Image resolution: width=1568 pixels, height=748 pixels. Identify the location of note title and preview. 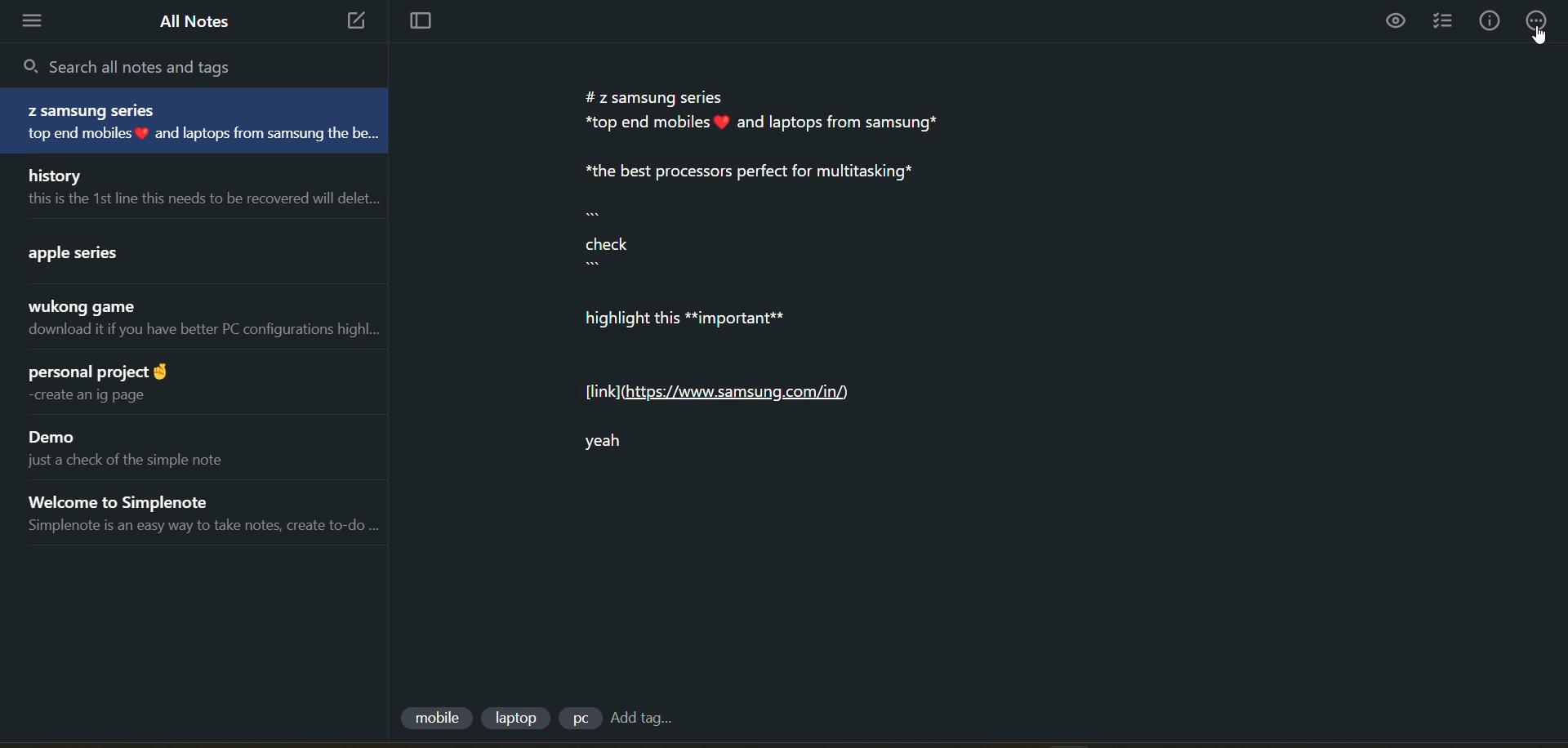
(194, 186).